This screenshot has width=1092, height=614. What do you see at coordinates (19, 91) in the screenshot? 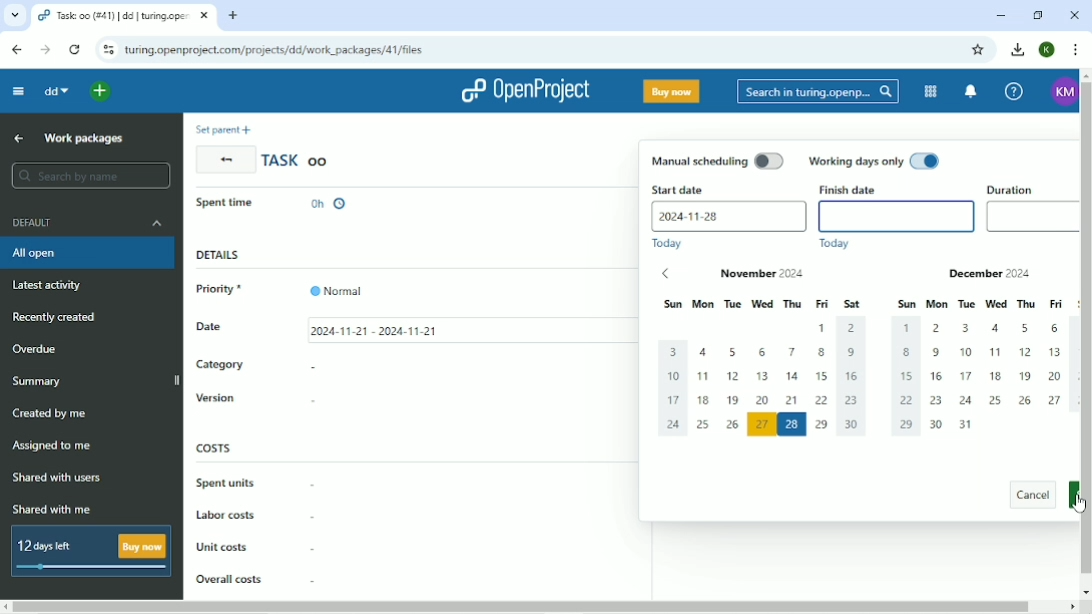
I see `Collapse project menu` at bounding box center [19, 91].